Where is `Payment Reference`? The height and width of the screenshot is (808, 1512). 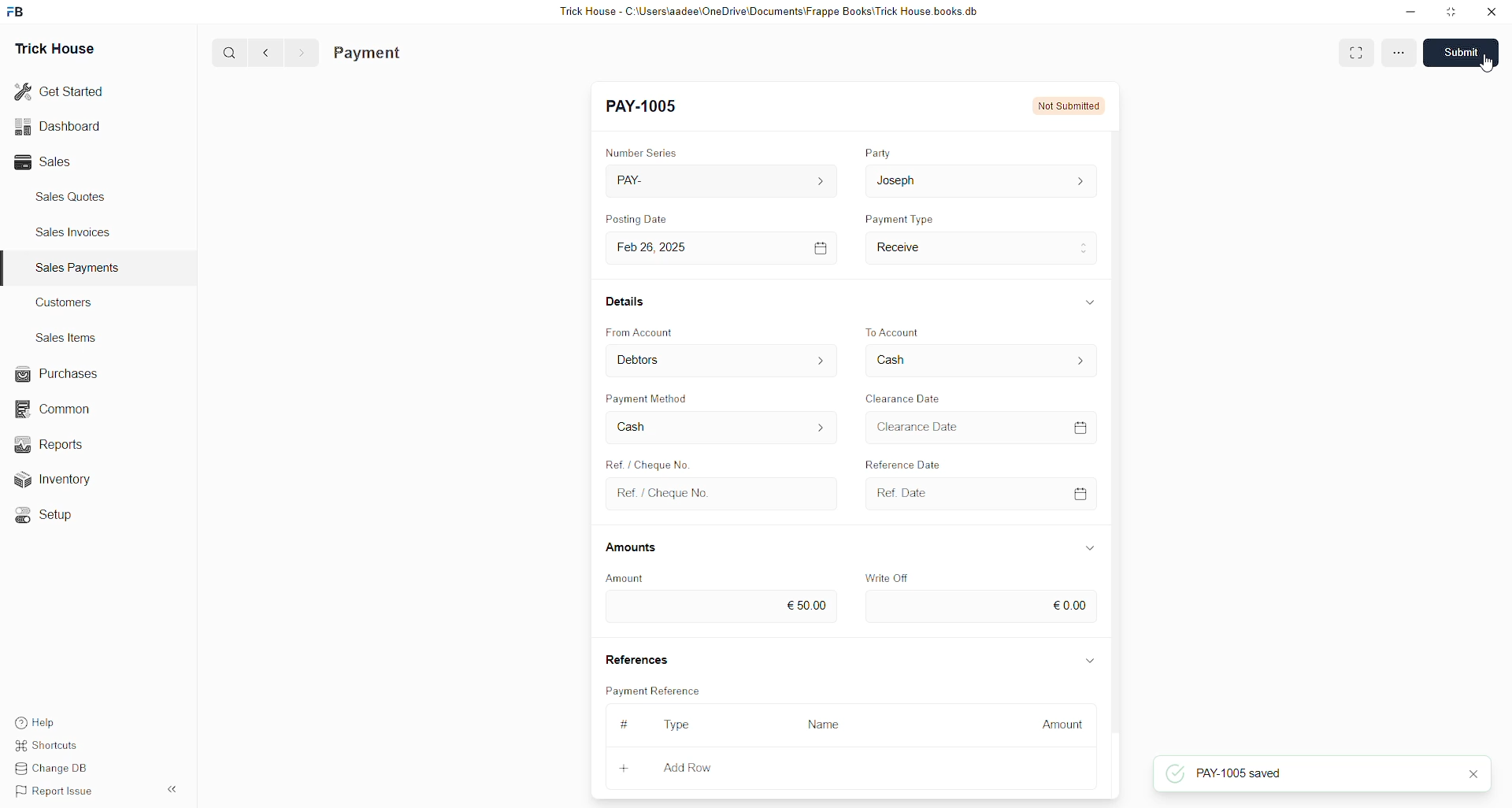 Payment Reference is located at coordinates (656, 689).